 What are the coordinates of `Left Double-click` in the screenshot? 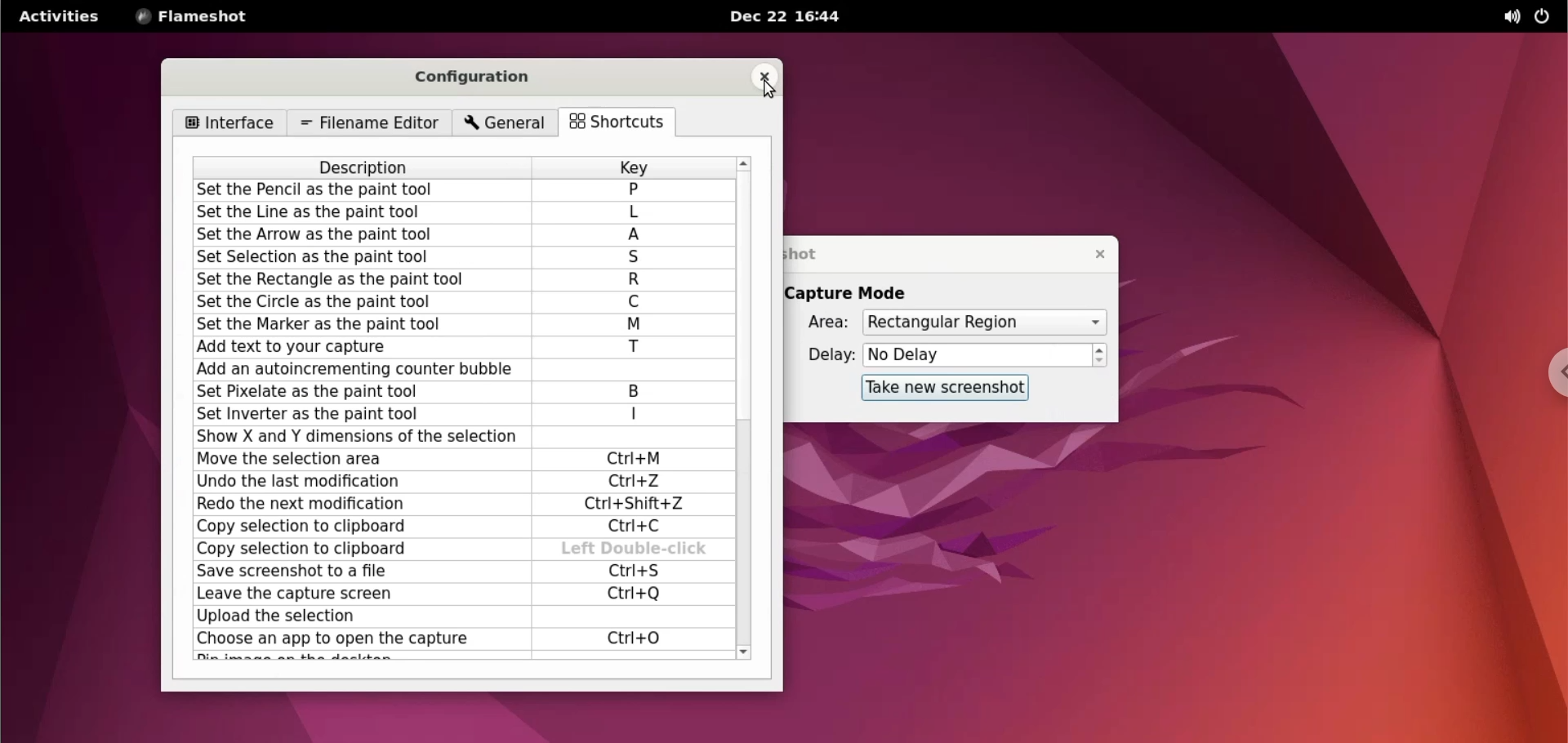 It's located at (635, 549).